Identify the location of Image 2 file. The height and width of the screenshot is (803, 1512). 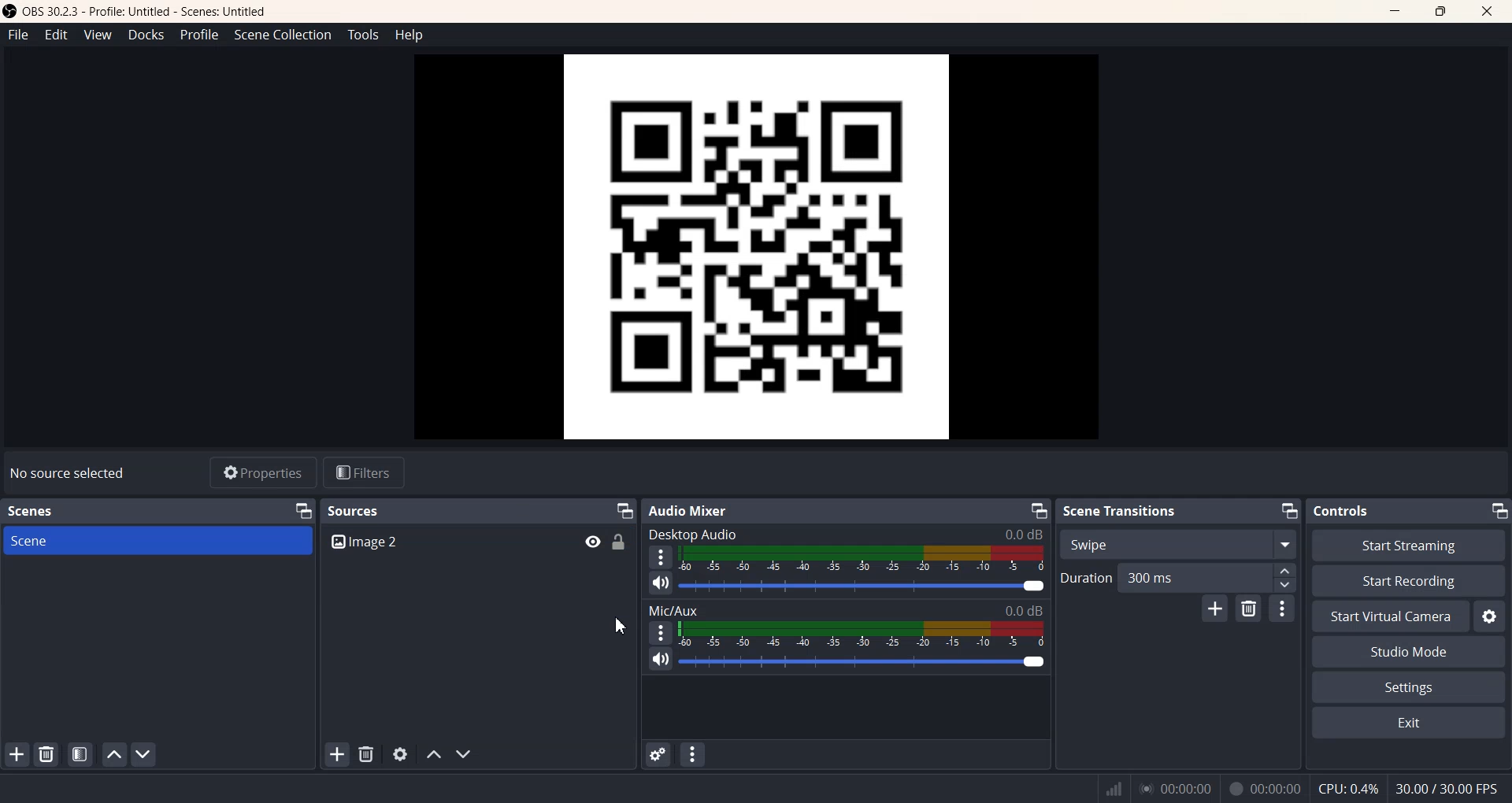
(441, 543).